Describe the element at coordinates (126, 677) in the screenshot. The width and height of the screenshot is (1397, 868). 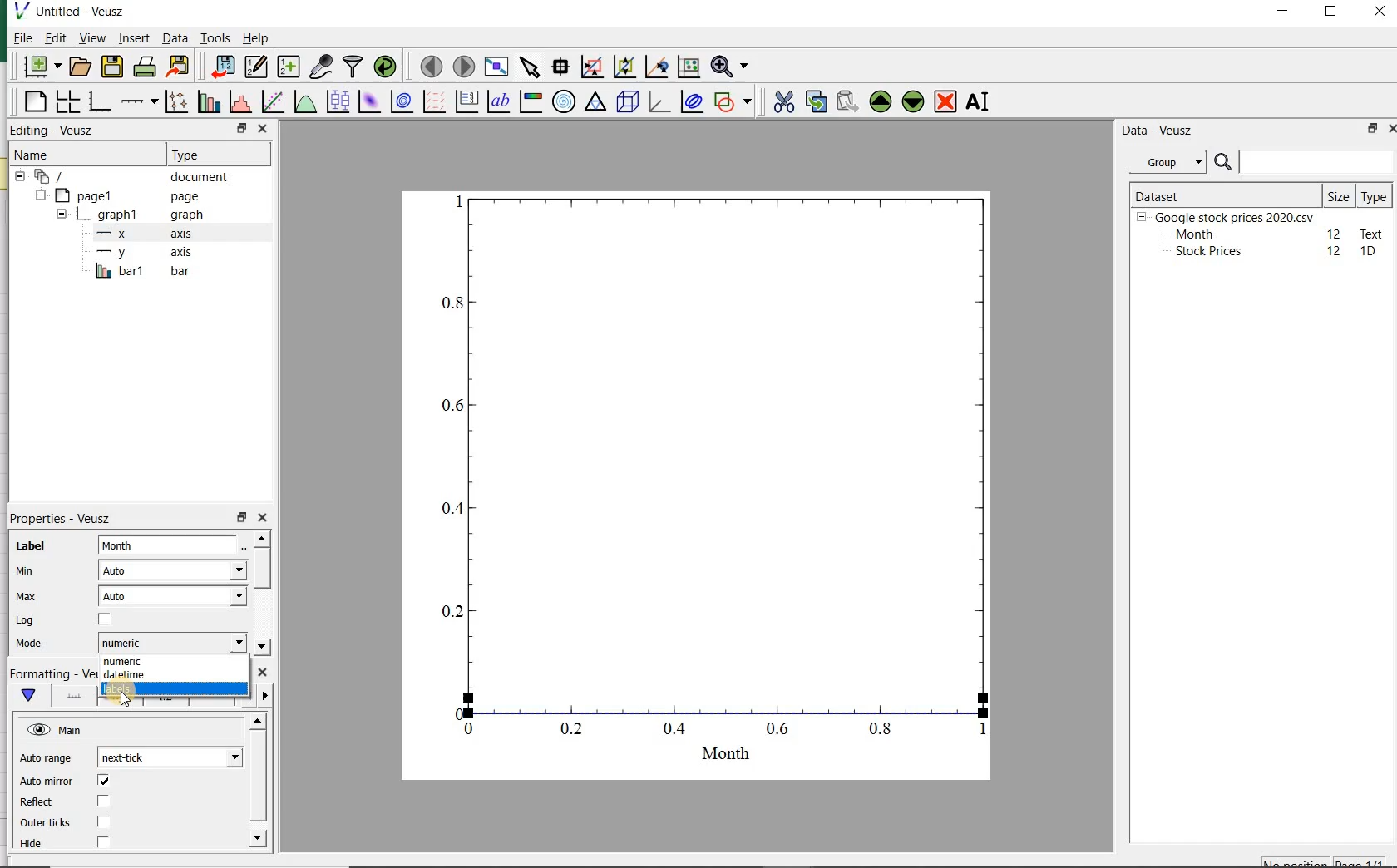
I see `datetime` at that location.